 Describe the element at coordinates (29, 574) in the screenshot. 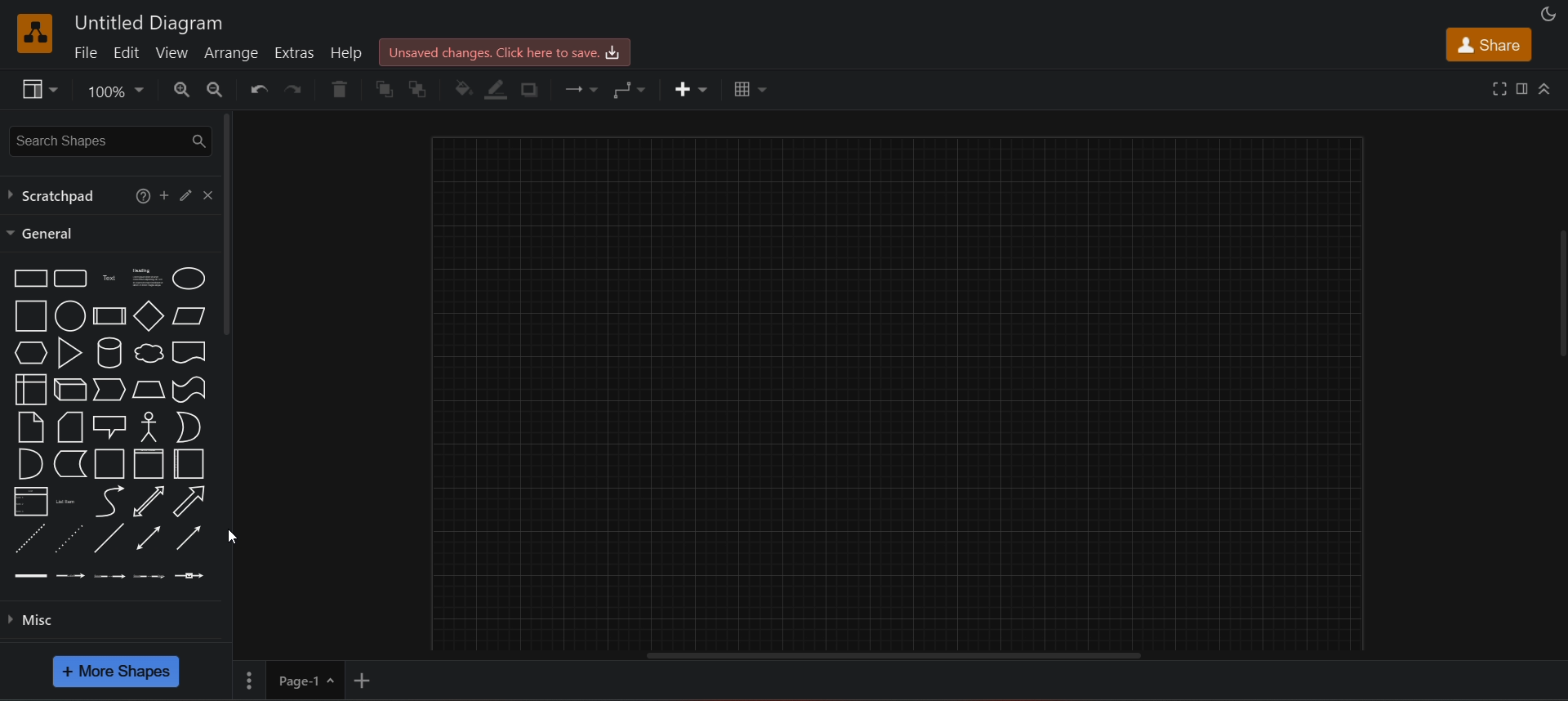

I see `link` at that location.